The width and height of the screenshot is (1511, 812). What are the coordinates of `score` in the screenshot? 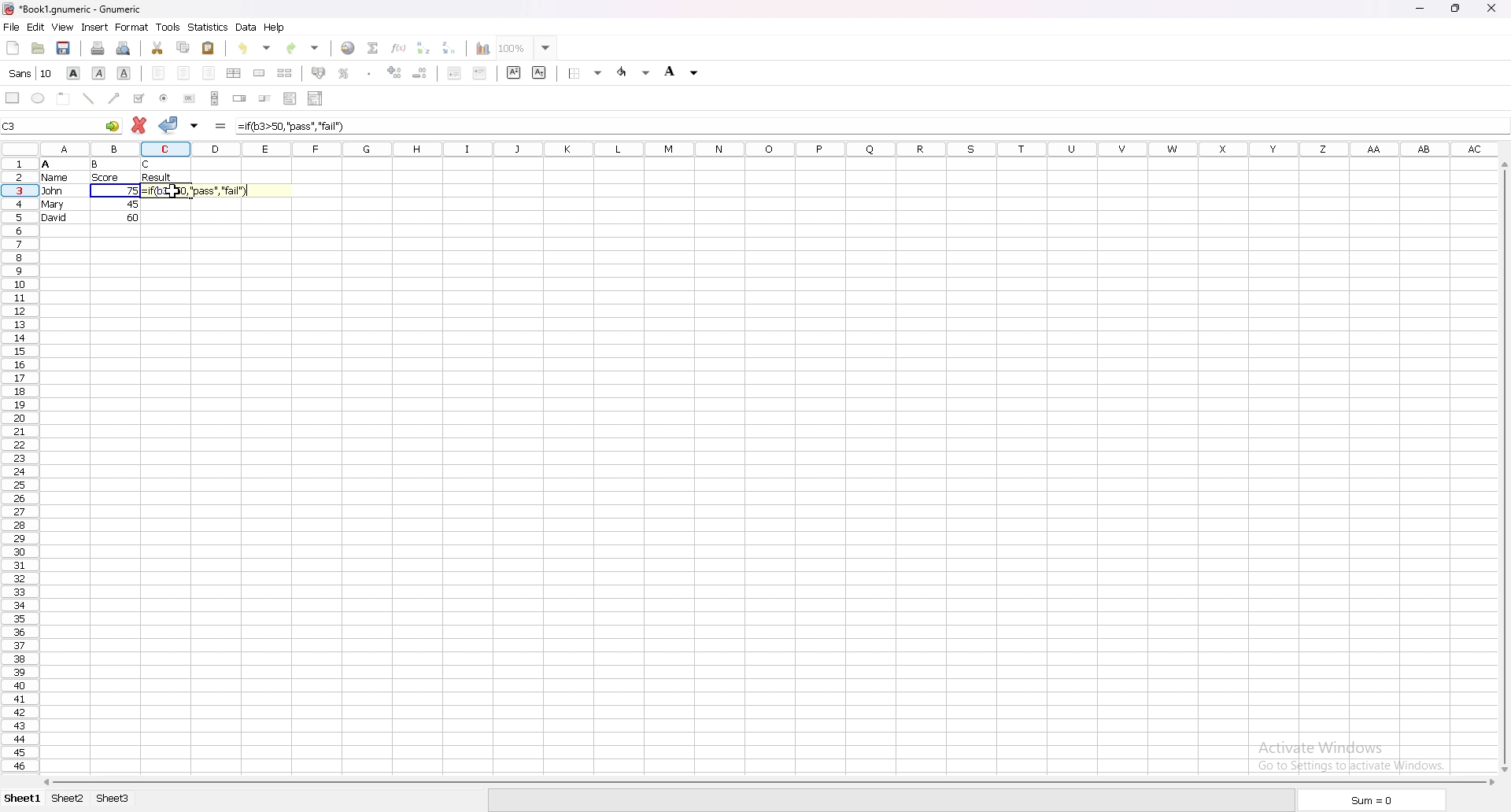 It's located at (107, 178).